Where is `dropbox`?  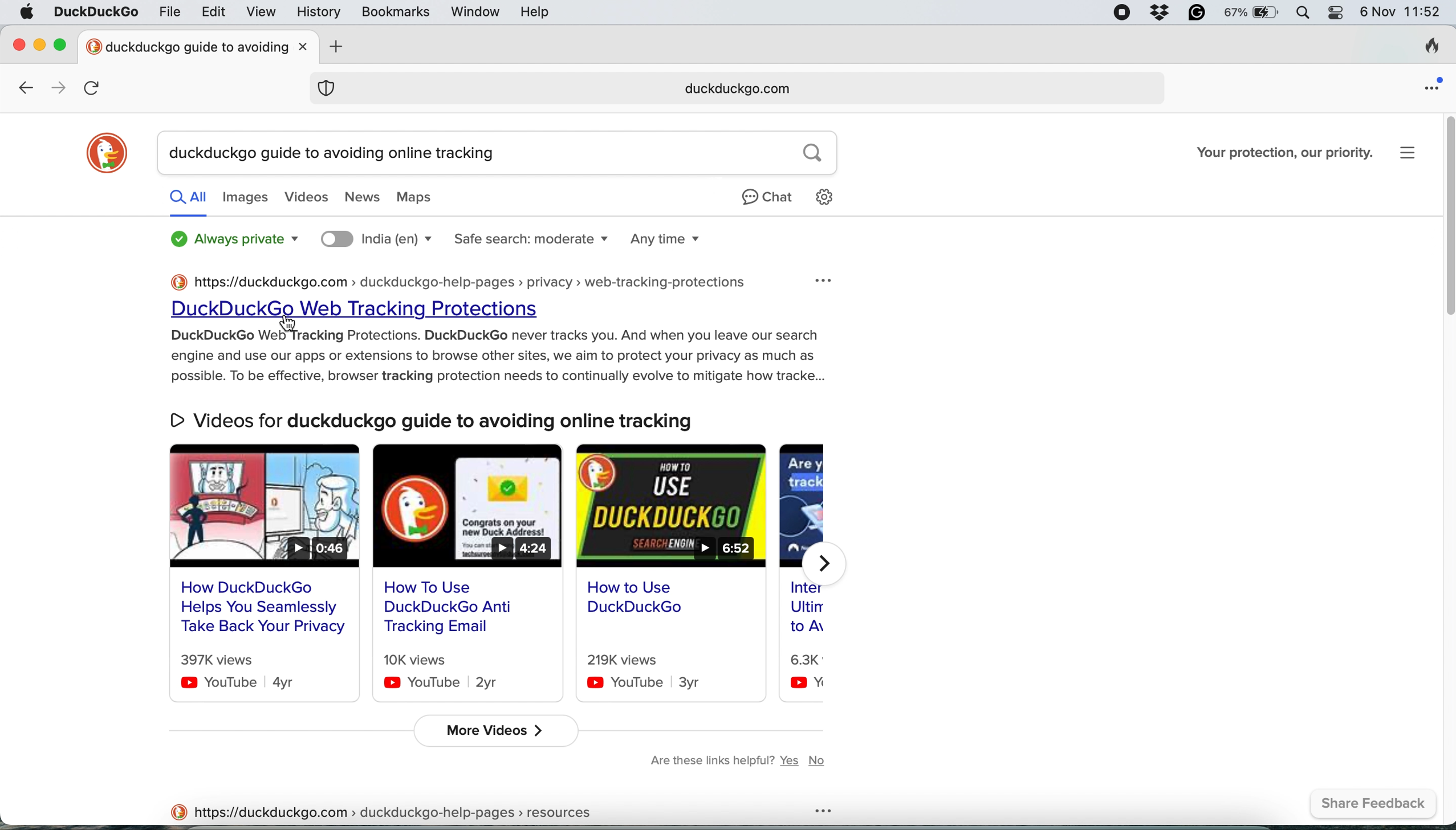
dropbox is located at coordinates (1164, 13).